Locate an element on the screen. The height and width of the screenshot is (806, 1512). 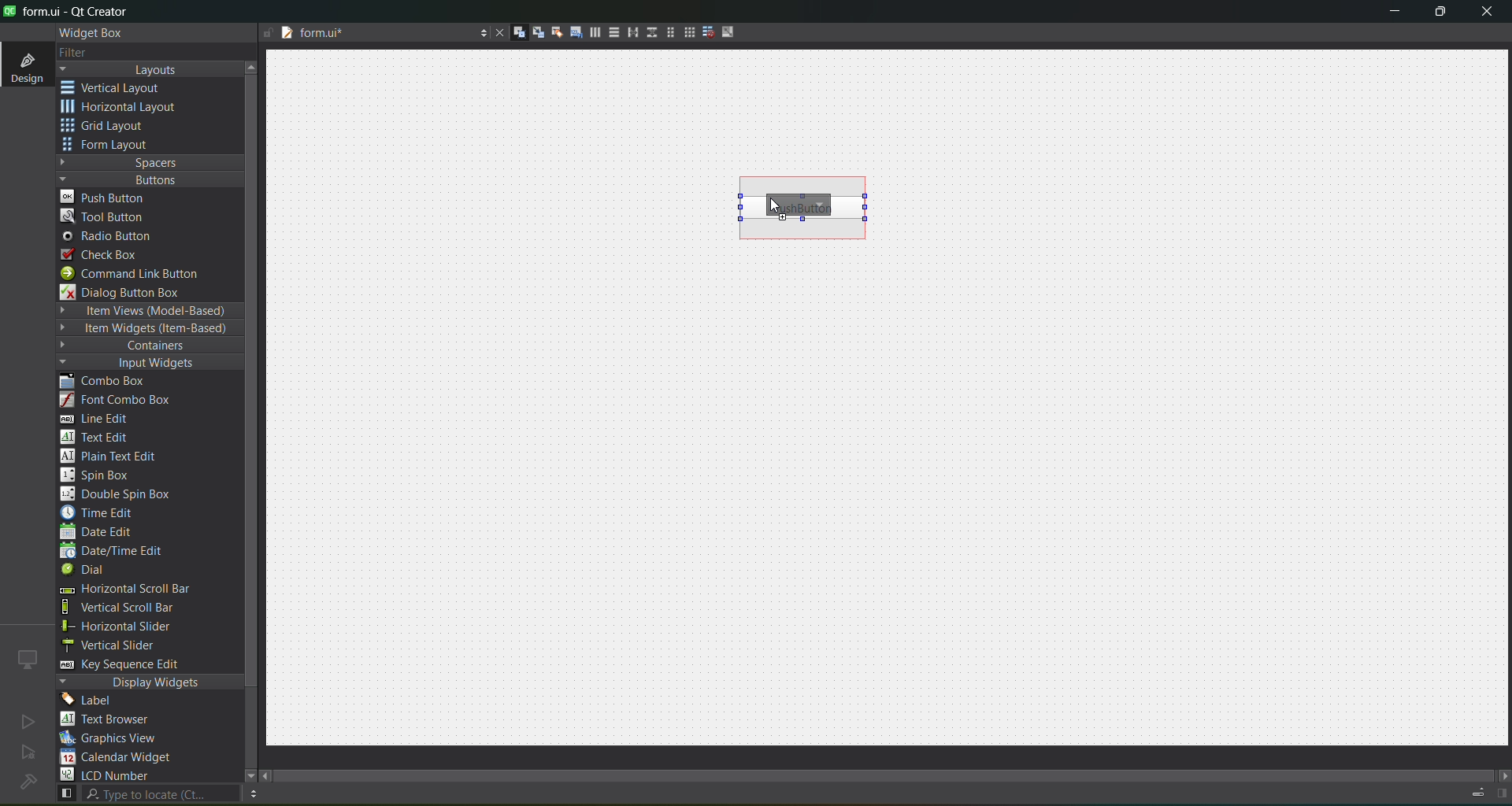
layout horizontally is located at coordinates (590, 35).